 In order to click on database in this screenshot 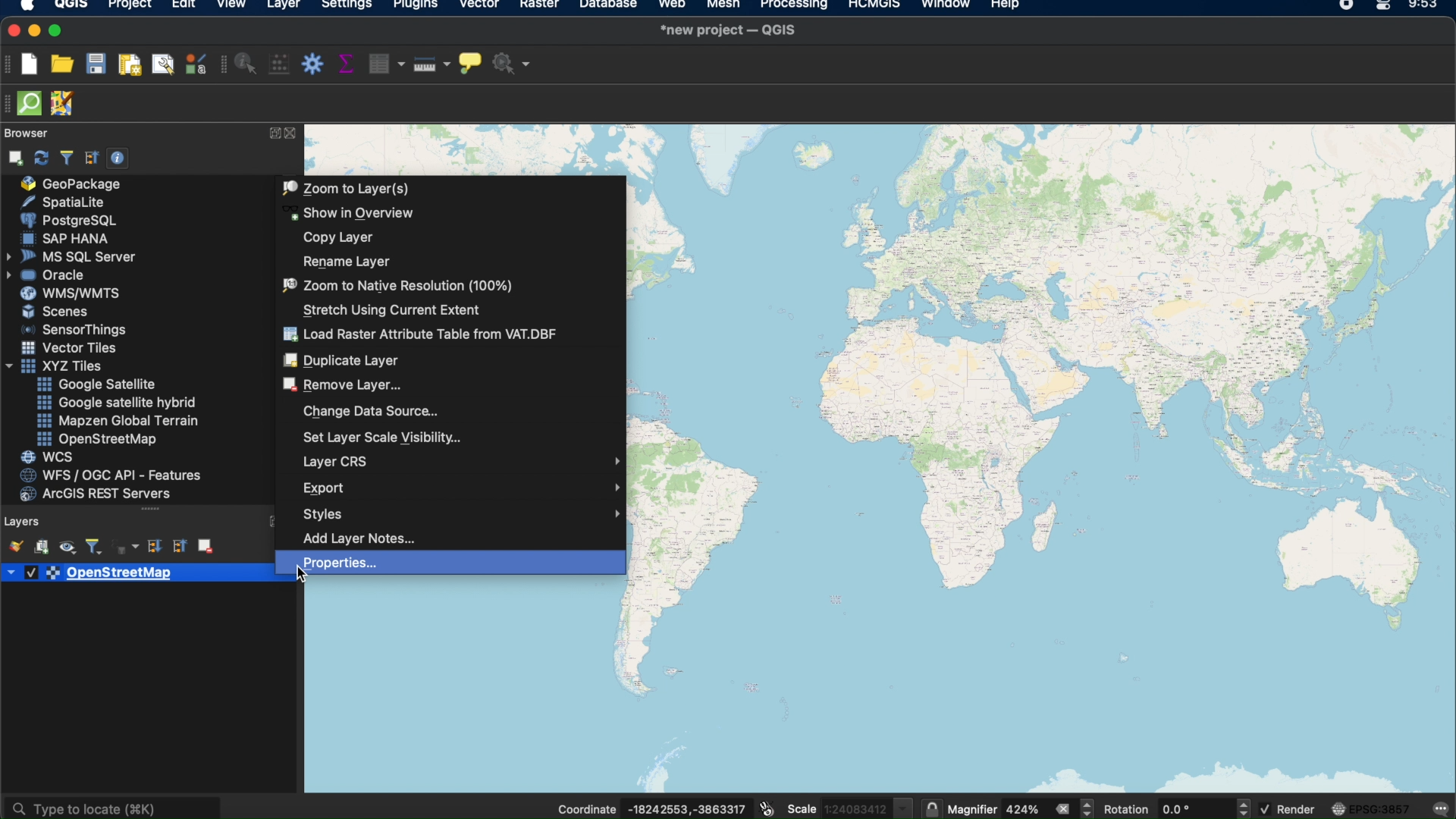, I will do `click(606, 6)`.